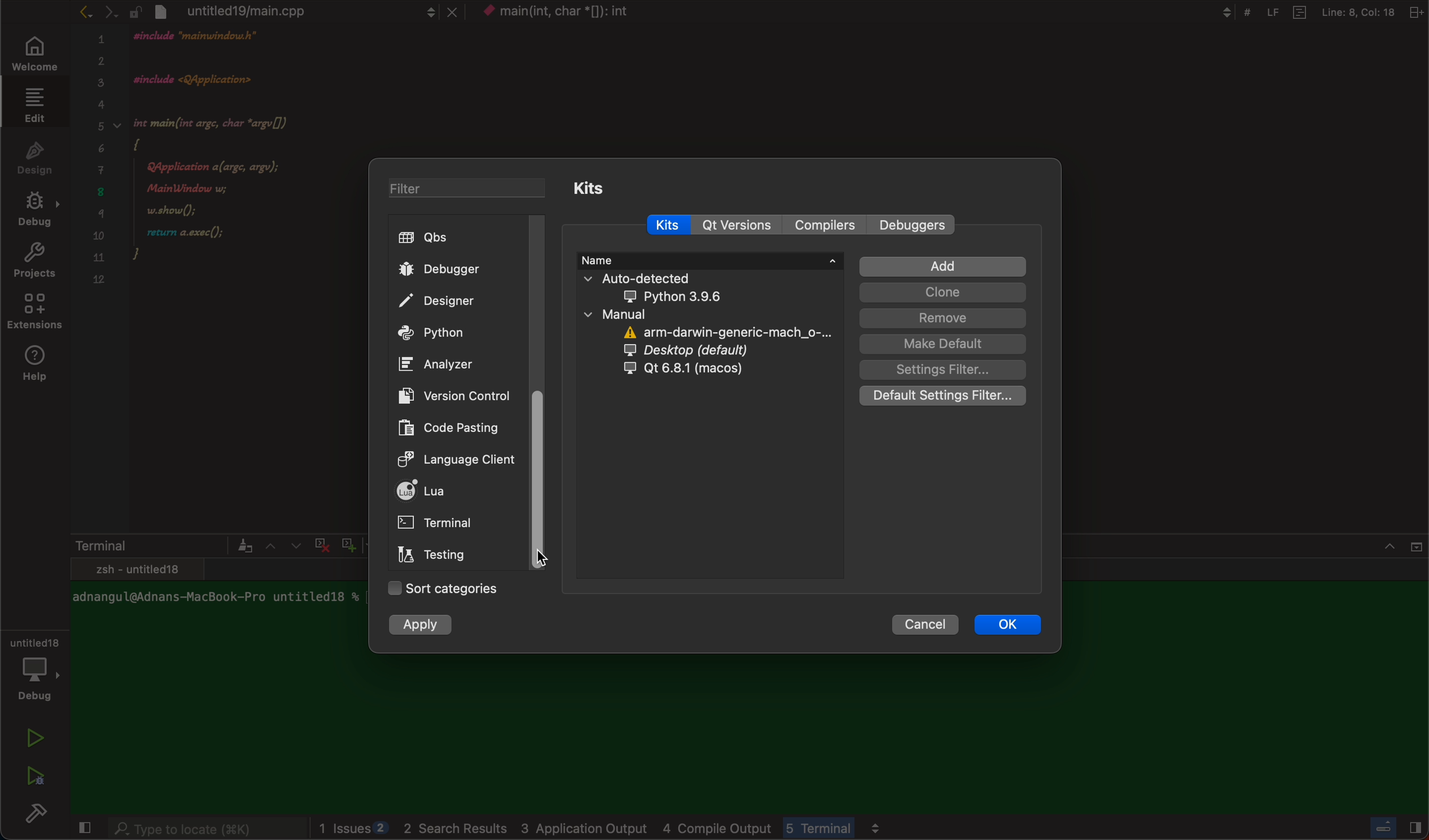  I want to click on make default , so click(942, 344).